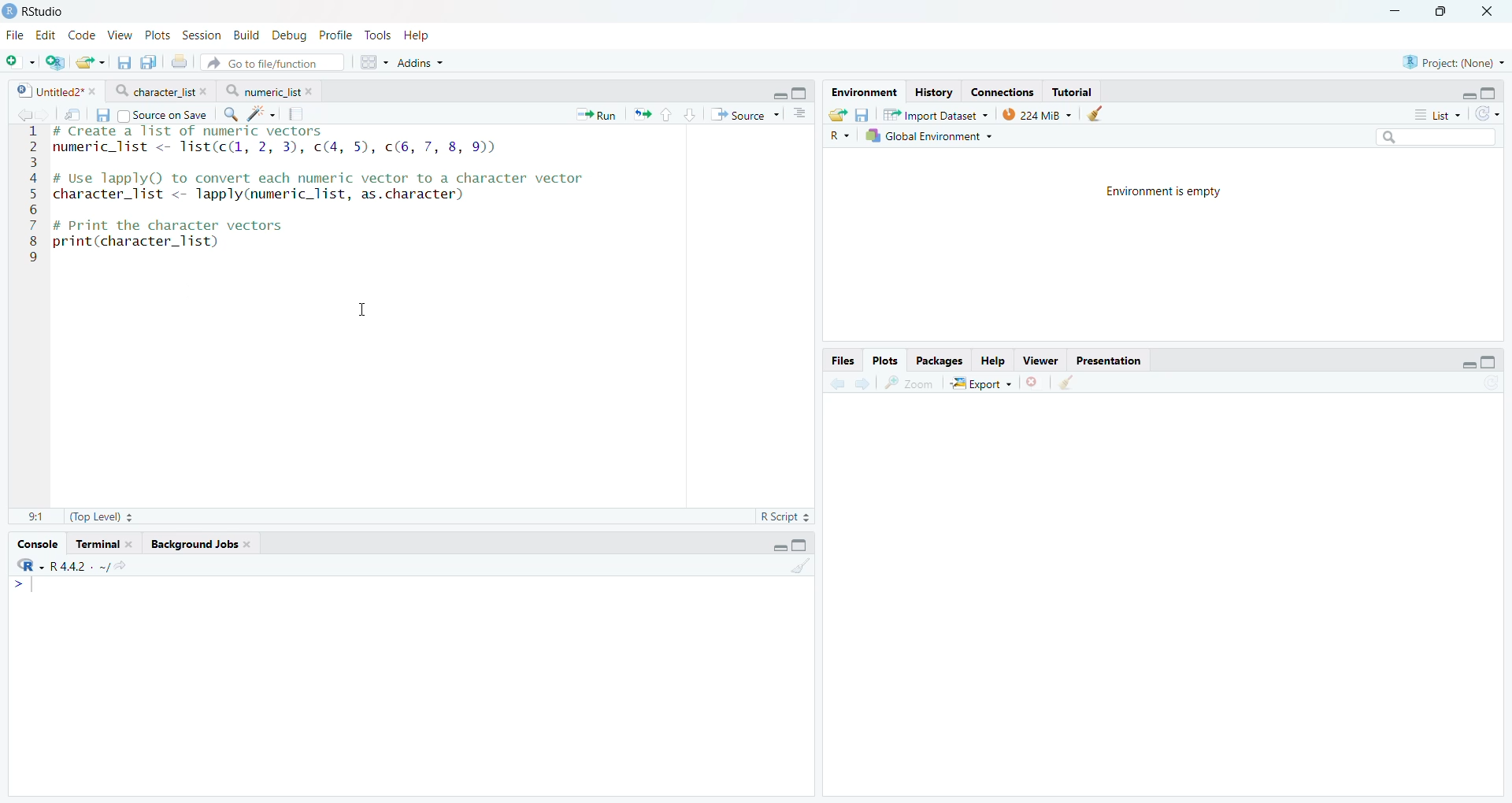 The image size is (1512, 803). Describe the element at coordinates (370, 62) in the screenshot. I see `Workspace panes` at that location.